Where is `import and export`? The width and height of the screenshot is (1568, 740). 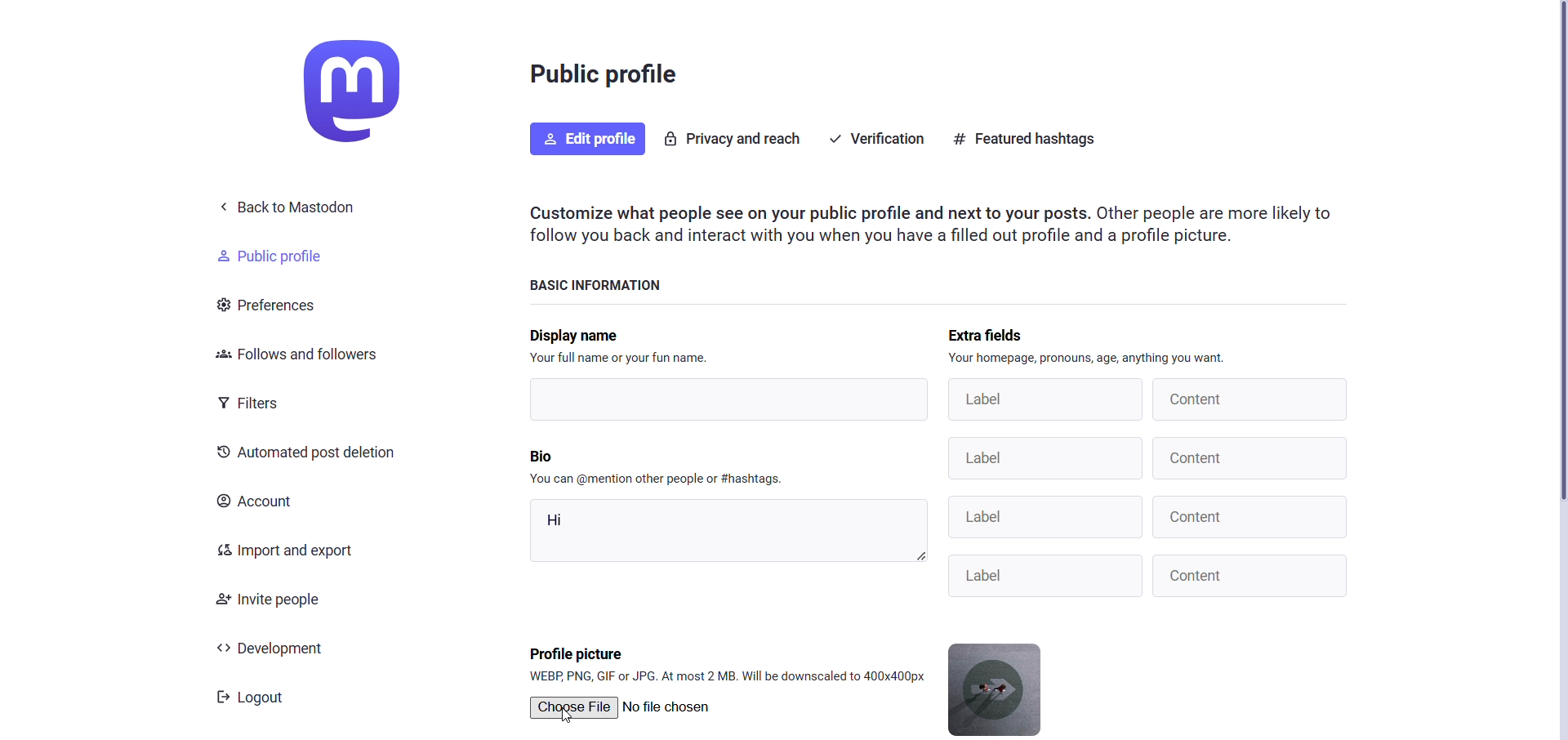 import and export is located at coordinates (276, 550).